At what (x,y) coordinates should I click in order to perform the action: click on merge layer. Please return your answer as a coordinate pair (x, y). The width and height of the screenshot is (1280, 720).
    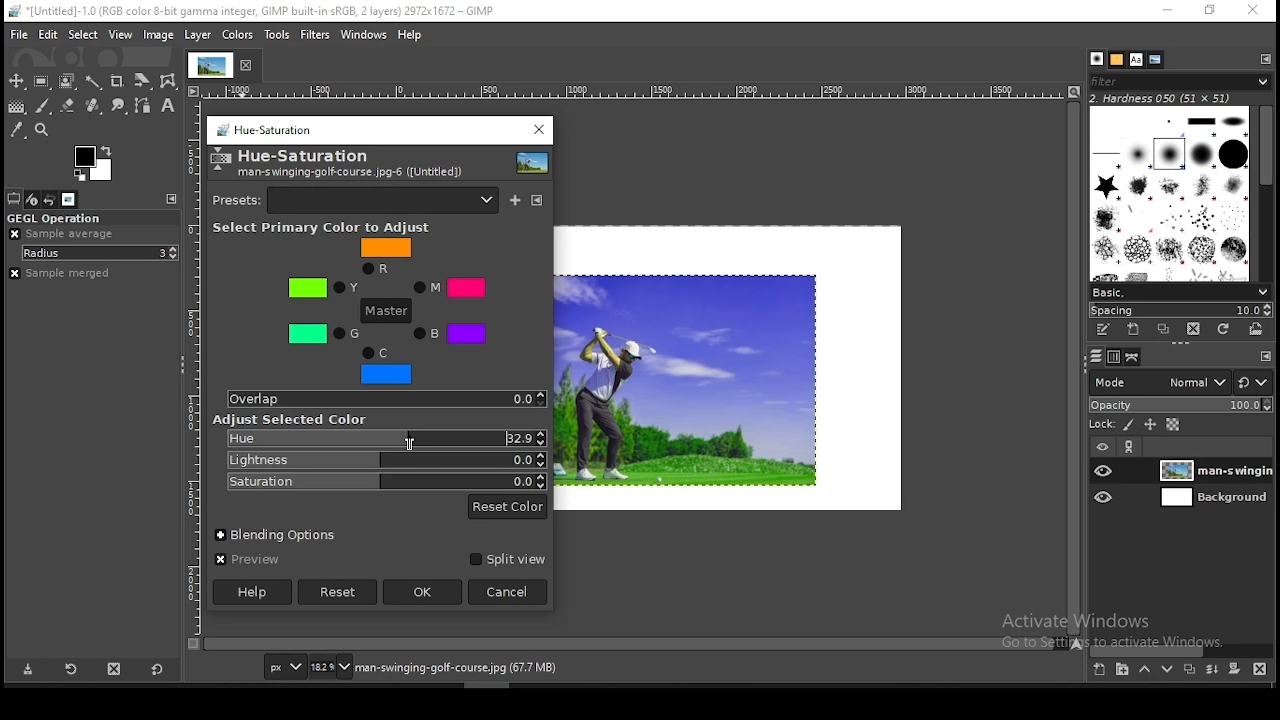
    Looking at the image, I should click on (1212, 670).